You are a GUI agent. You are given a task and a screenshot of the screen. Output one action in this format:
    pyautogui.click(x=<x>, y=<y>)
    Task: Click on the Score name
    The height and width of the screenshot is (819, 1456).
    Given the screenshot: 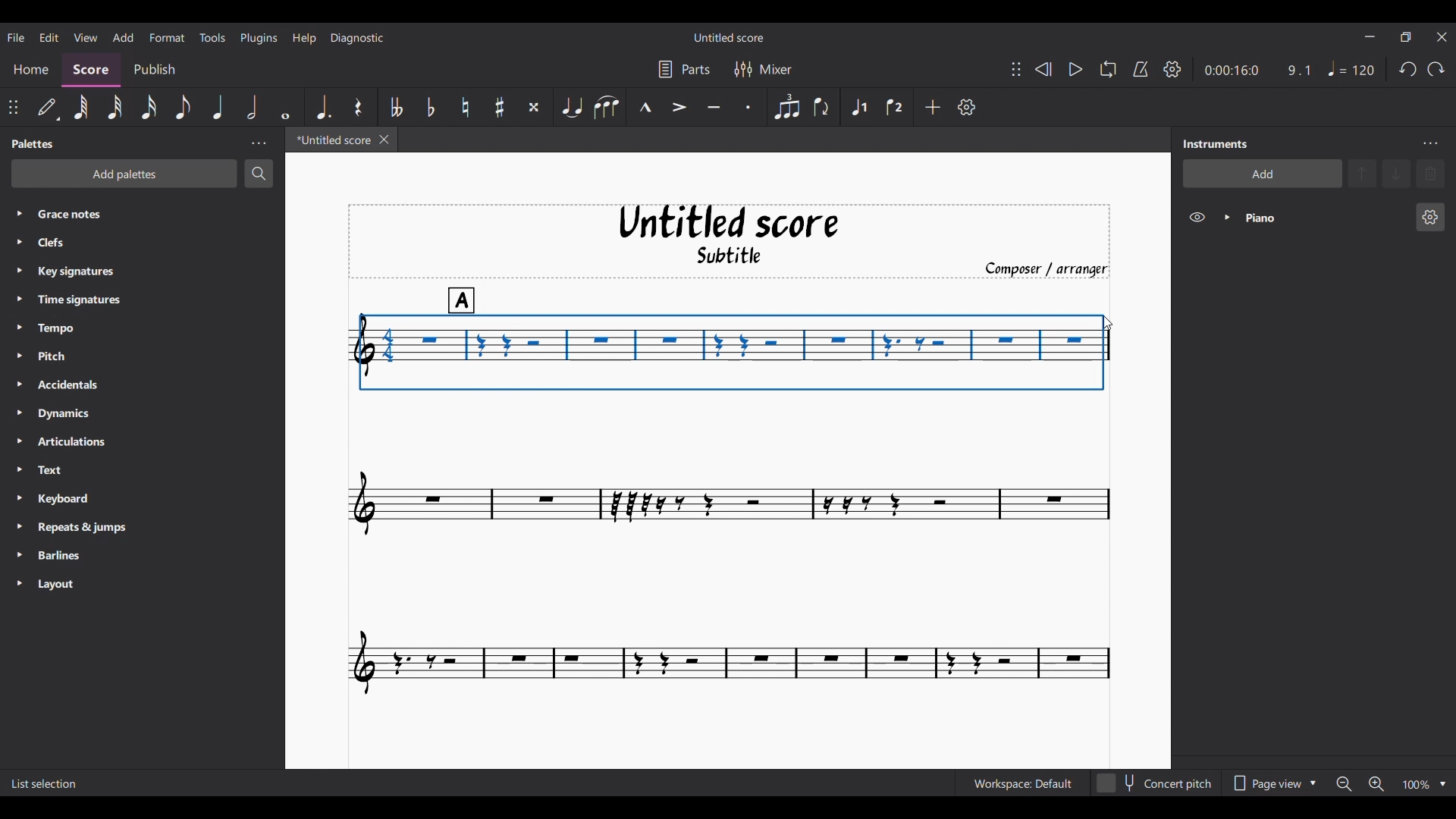 What is the action you would take?
    pyautogui.click(x=728, y=37)
    